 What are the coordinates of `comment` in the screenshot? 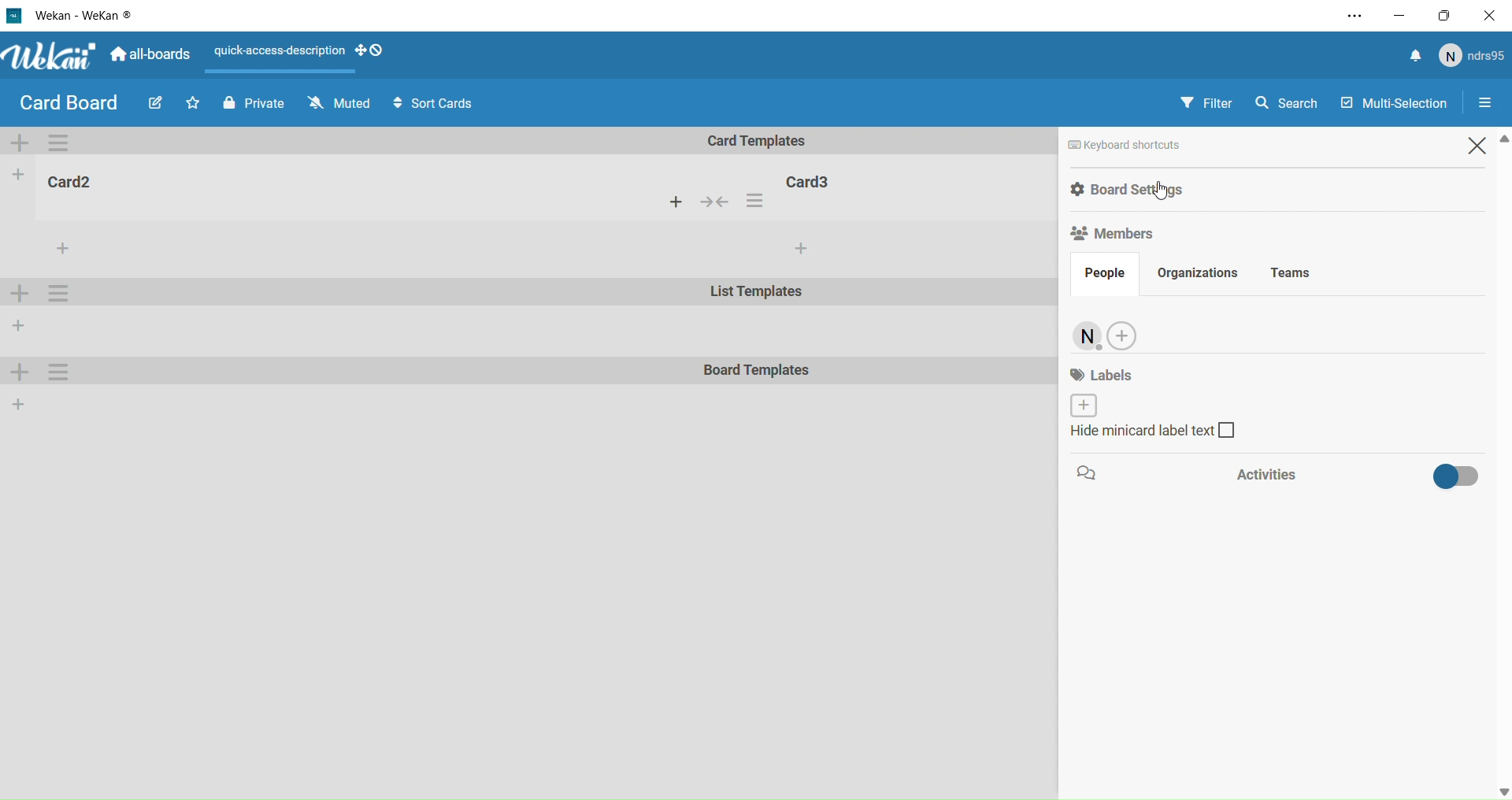 It's located at (1091, 474).